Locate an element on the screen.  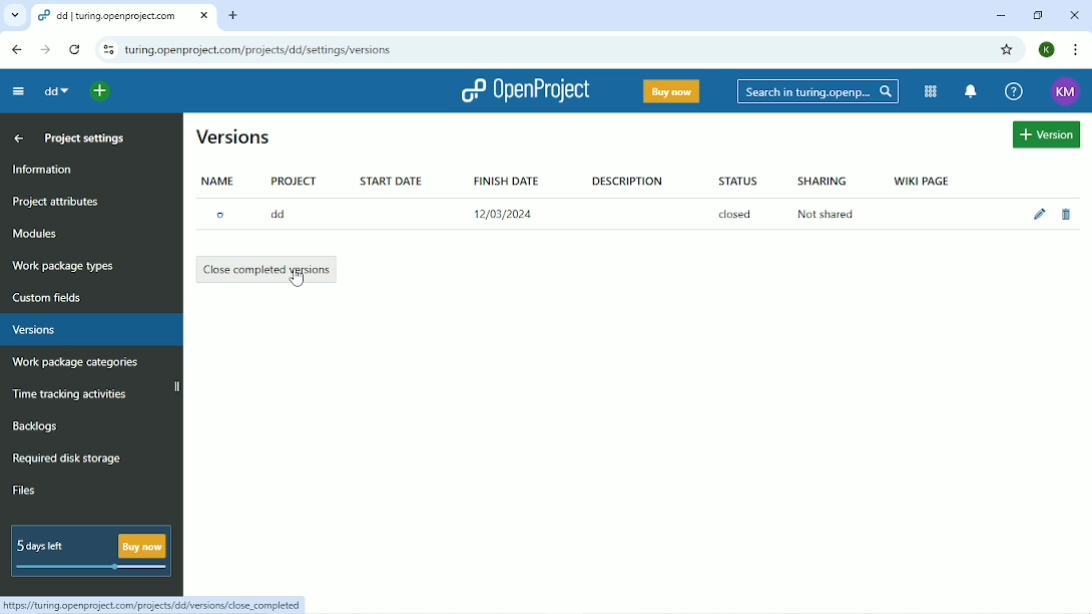
Status is located at coordinates (738, 182).